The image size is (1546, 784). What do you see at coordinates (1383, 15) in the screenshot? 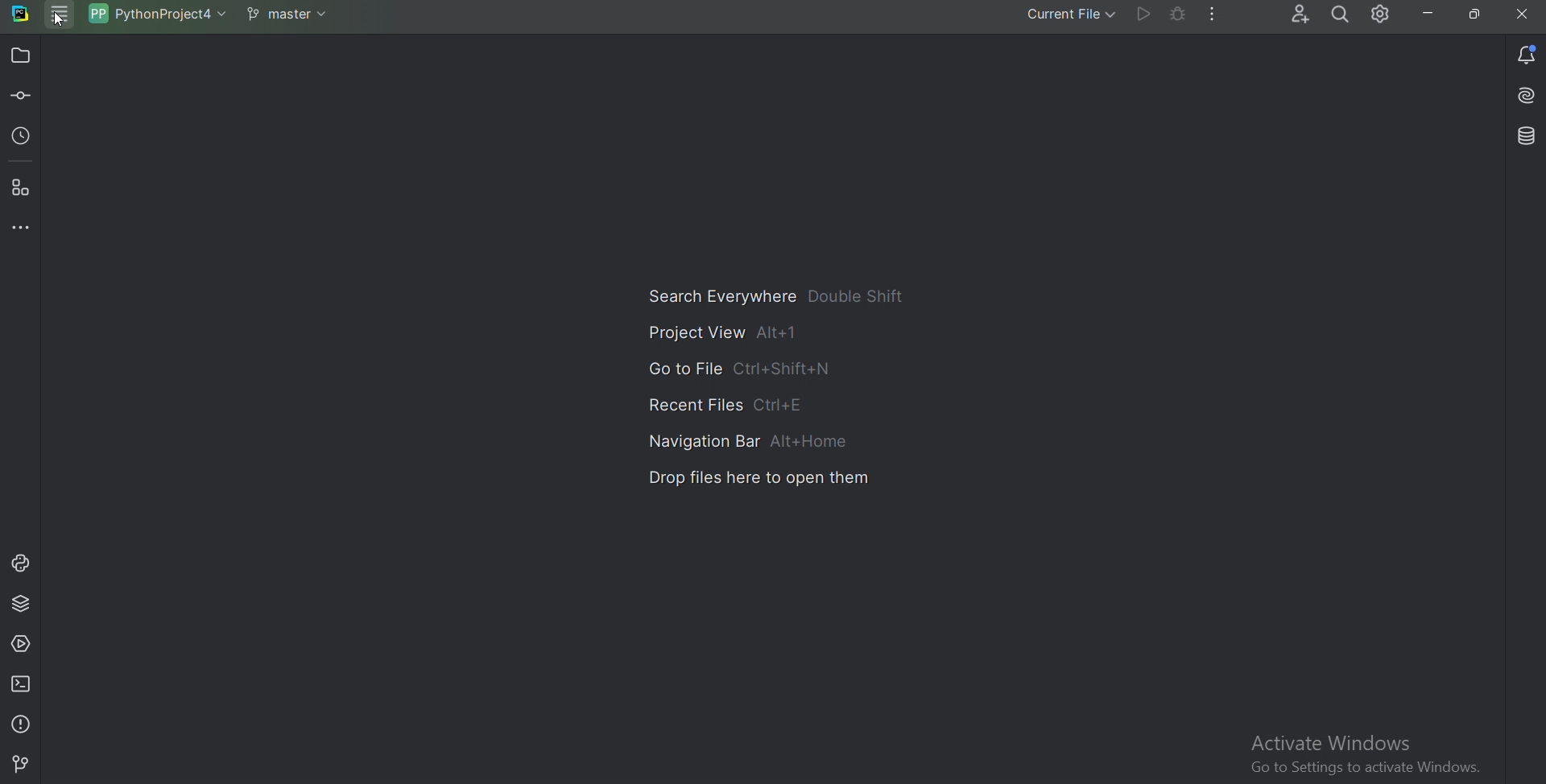
I see `Settings` at bounding box center [1383, 15].